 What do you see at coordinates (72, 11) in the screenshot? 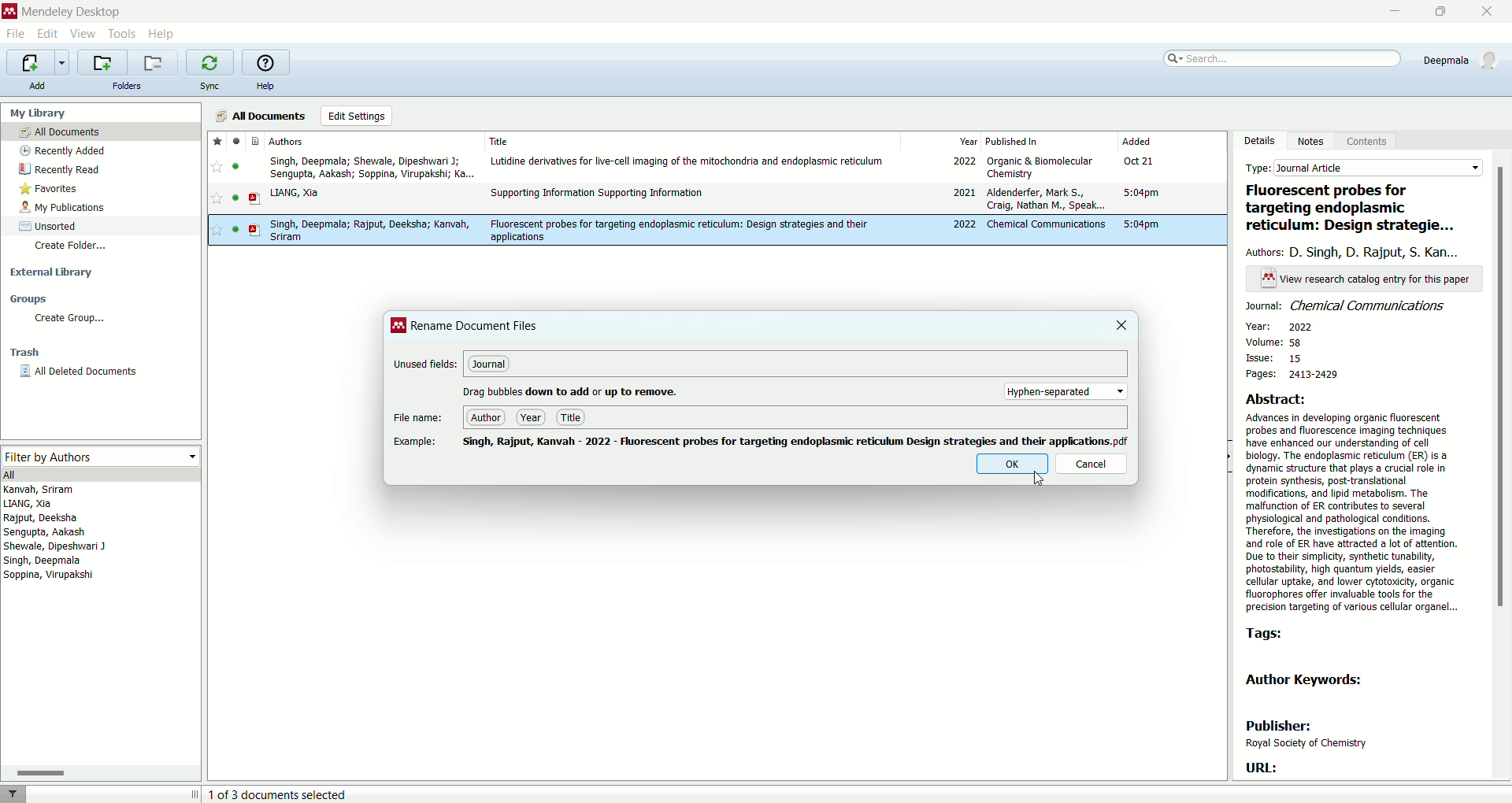
I see `mendeley desktop` at bounding box center [72, 11].